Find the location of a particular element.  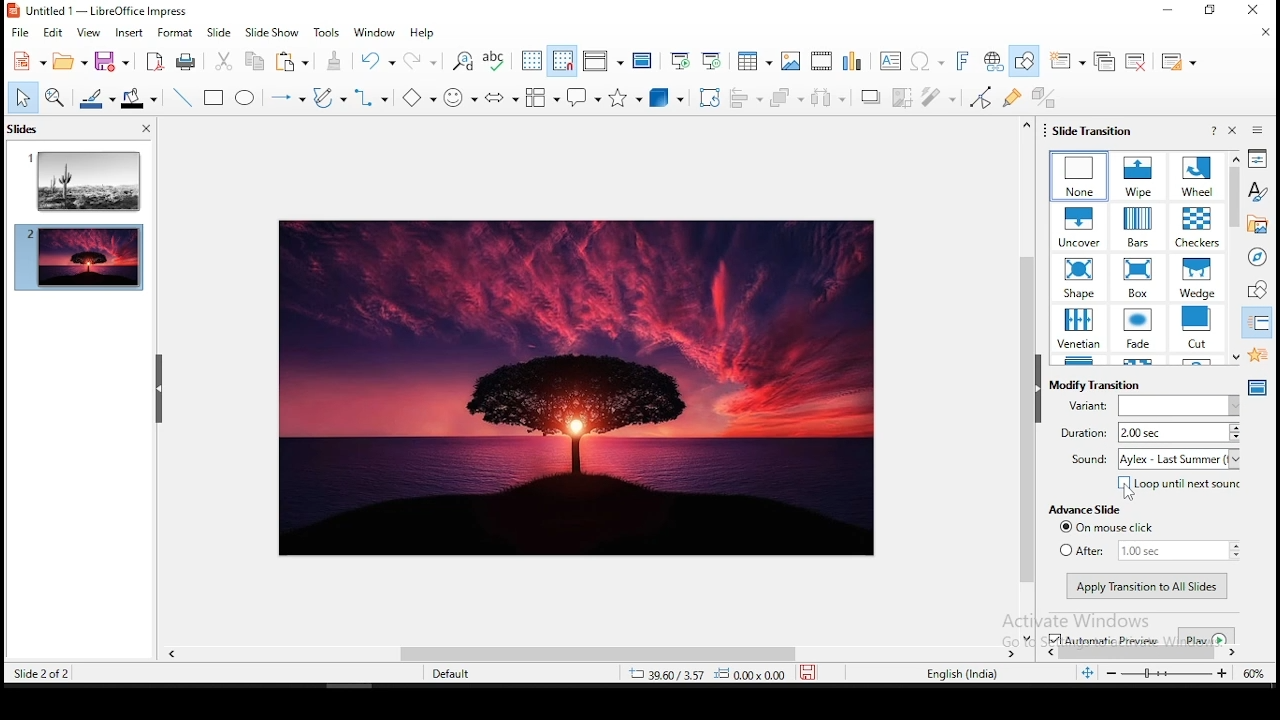

delete slide is located at coordinates (1140, 58).